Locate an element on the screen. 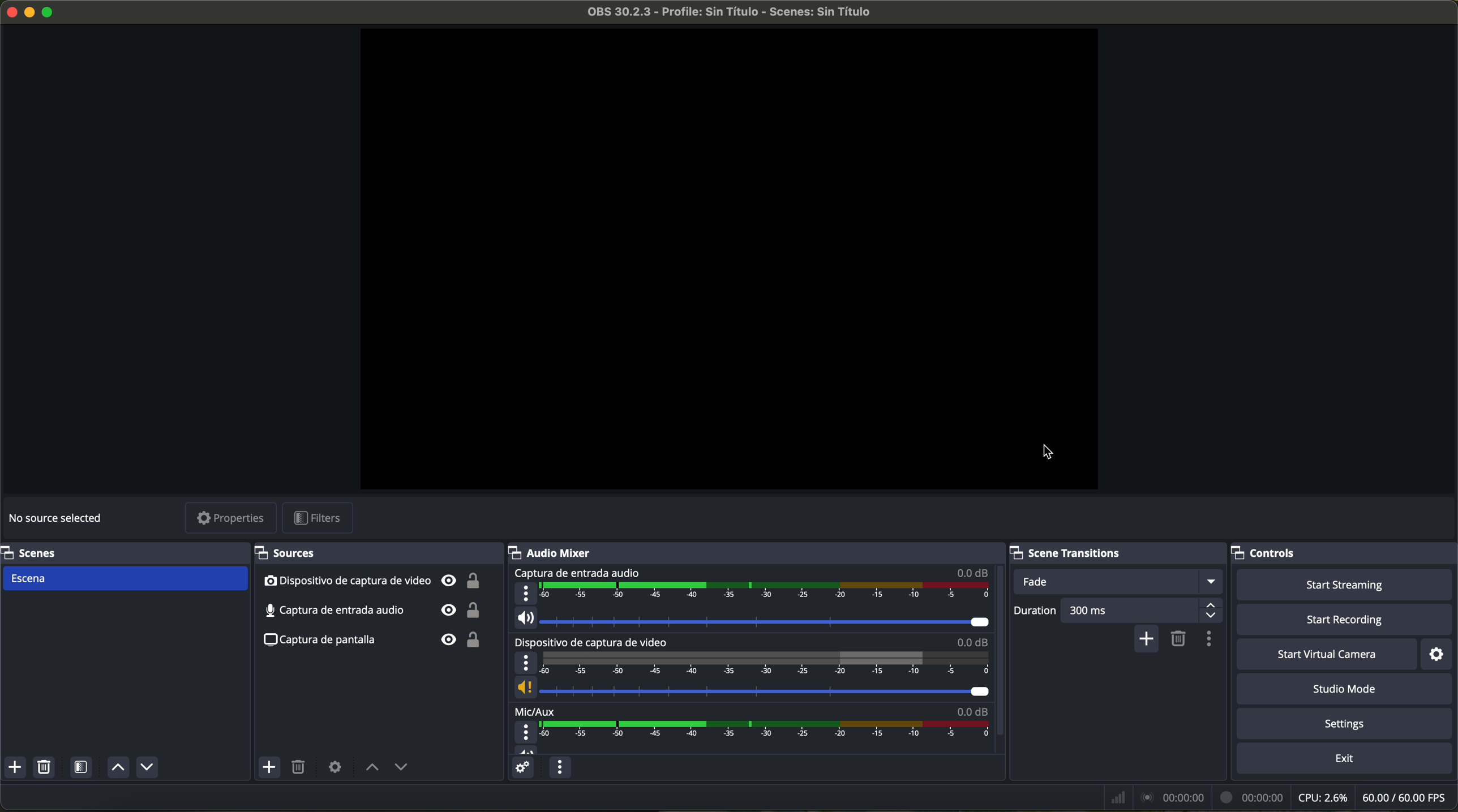 This screenshot has width=1458, height=812. move source up is located at coordinates (372, 768).